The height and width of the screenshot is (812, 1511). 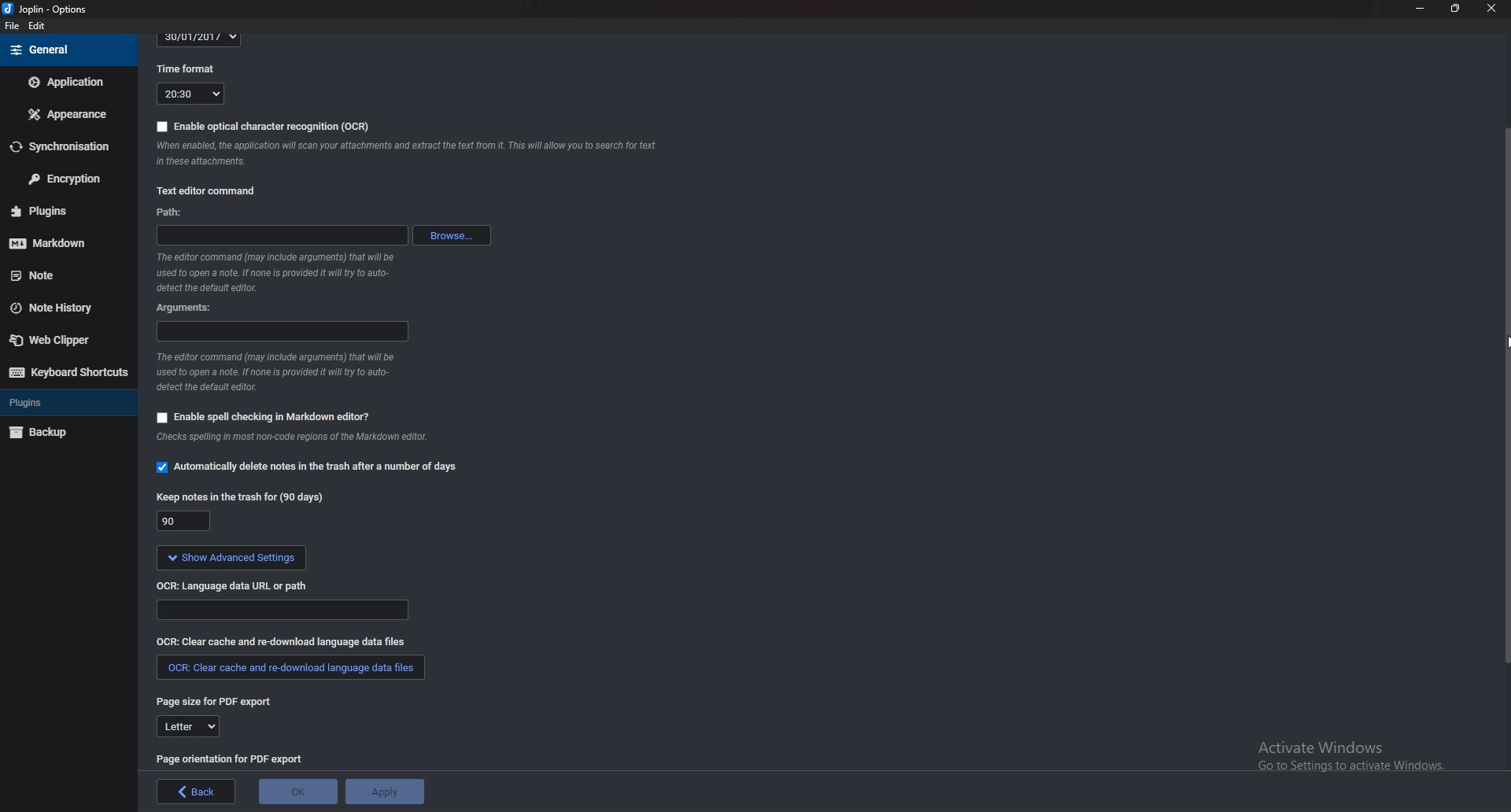 What do you see at coordinates (275, 372) in the screenshot?
I see `Info` at bounding box center [275, 372].